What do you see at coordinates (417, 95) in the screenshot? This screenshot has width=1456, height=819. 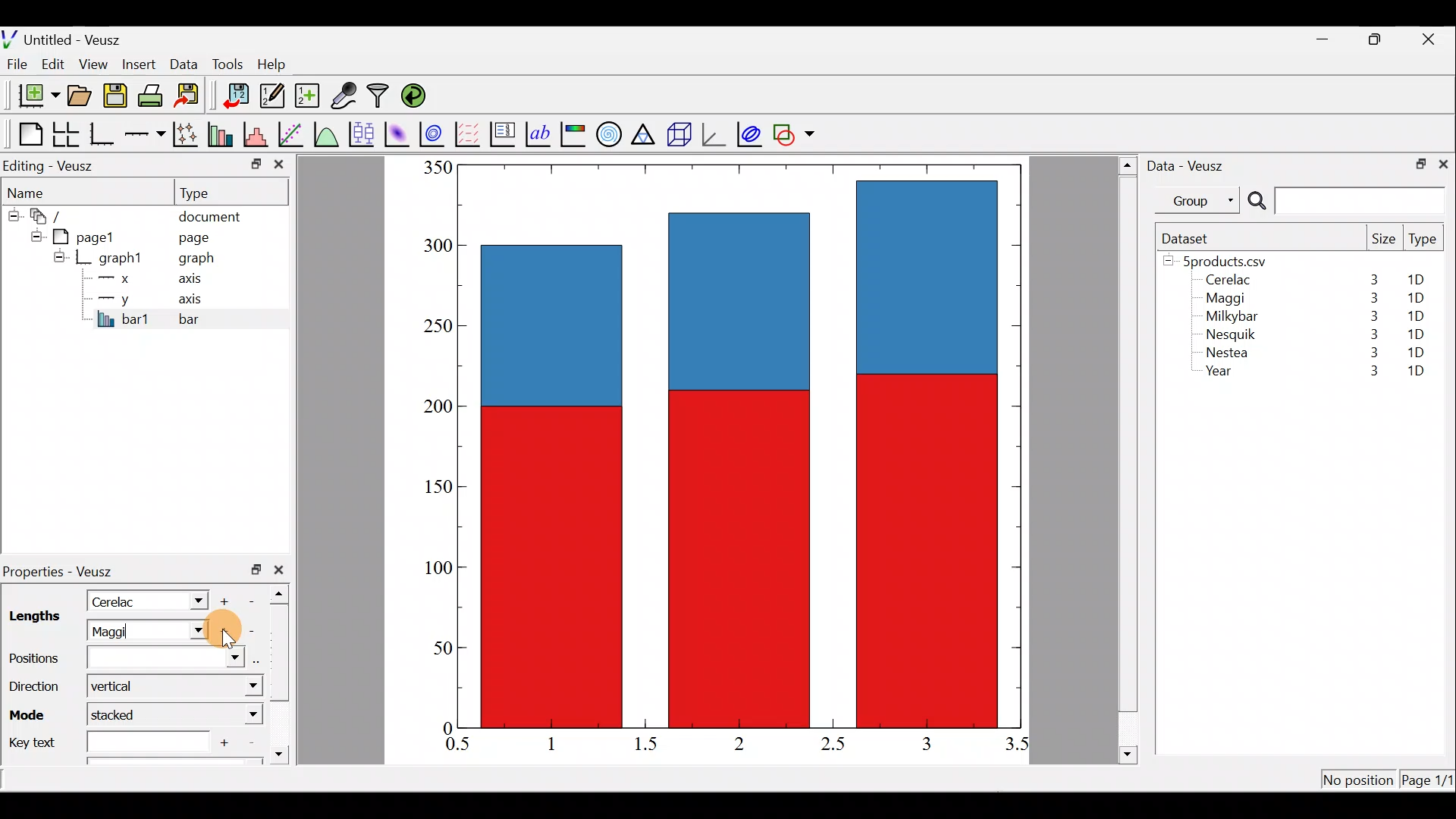 I see `Reload linked datasets` at bounding box center [417, 95].